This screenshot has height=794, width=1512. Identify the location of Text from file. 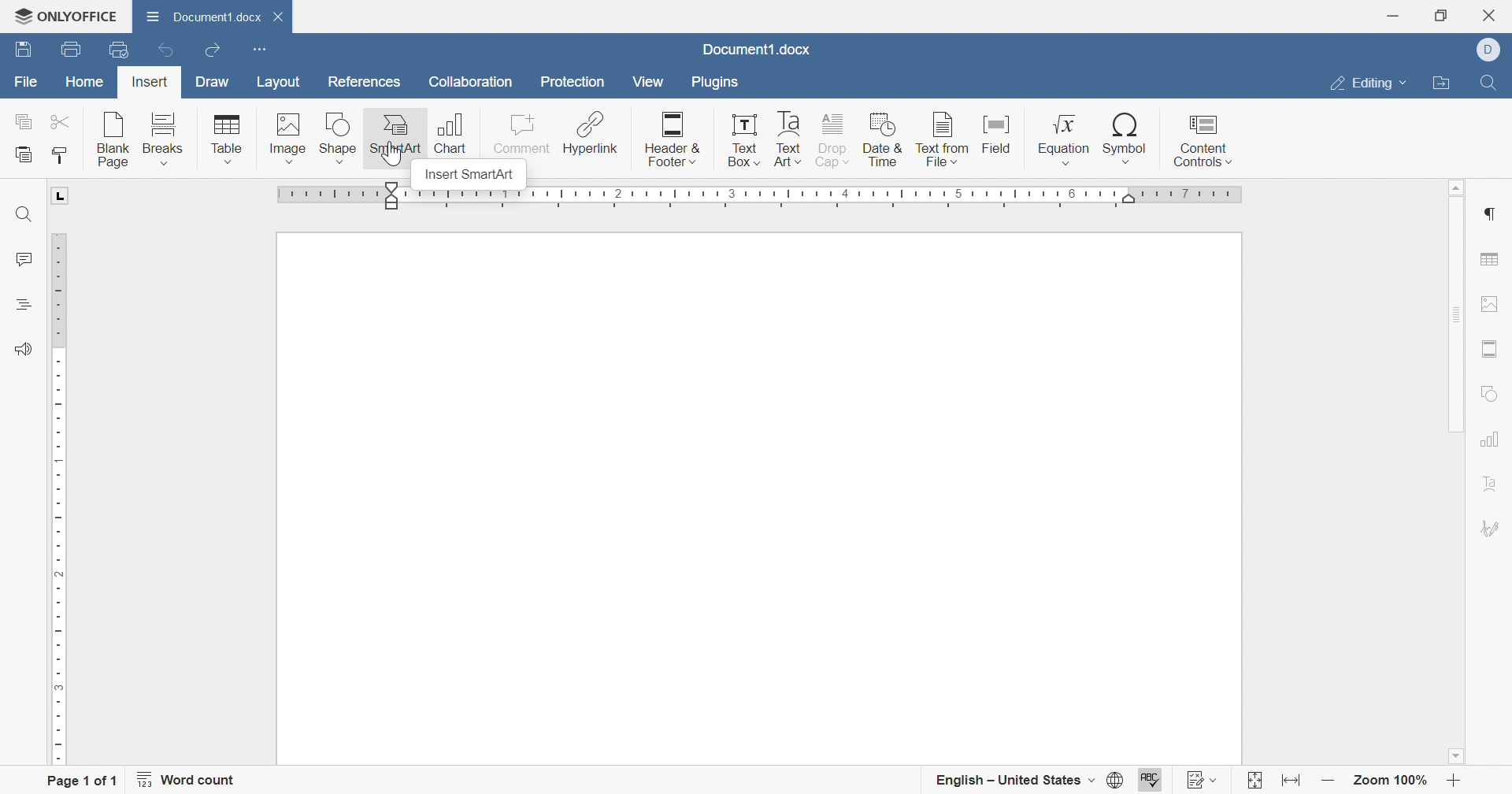
(943, 141).